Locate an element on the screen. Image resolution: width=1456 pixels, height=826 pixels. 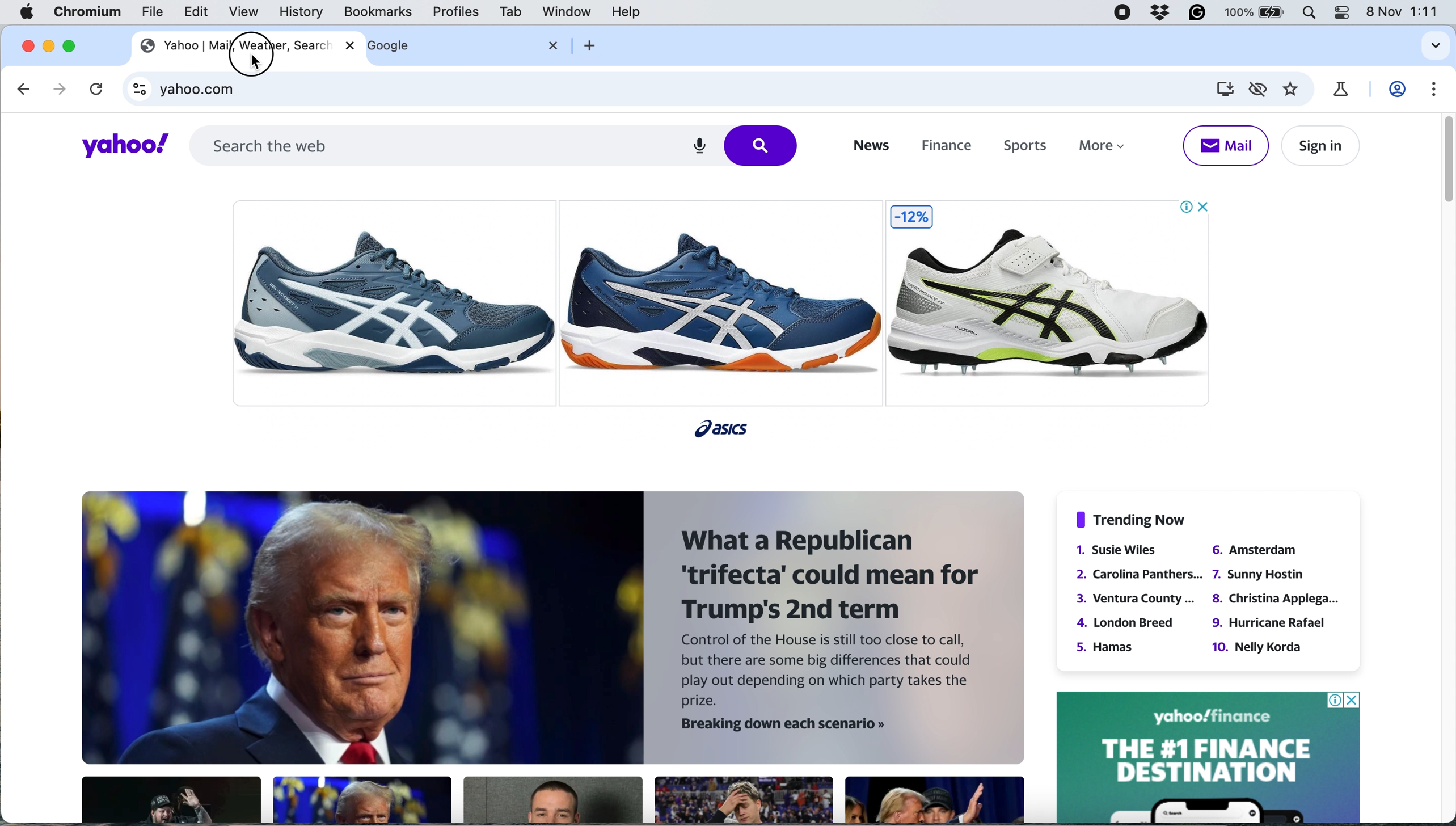
close is located at coordinates (28, 44).